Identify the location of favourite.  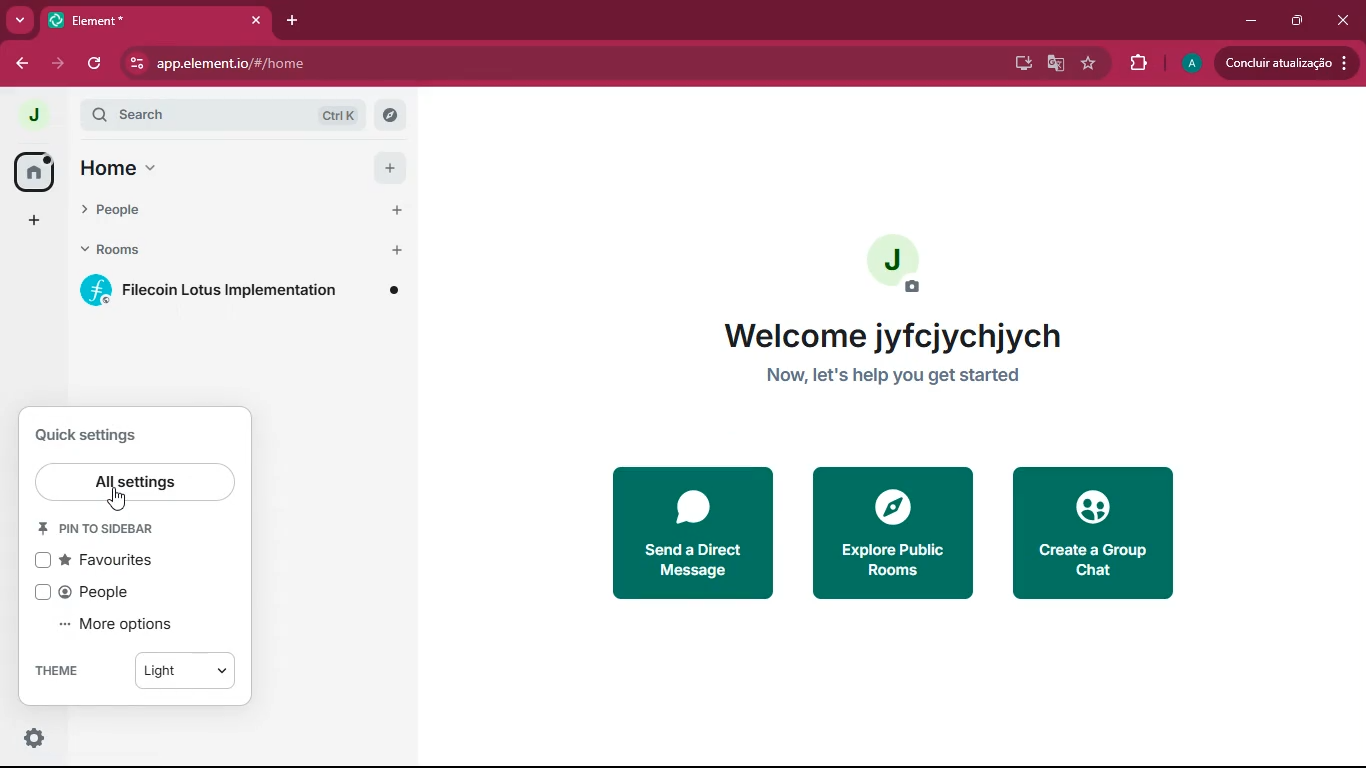
(1089, 64).